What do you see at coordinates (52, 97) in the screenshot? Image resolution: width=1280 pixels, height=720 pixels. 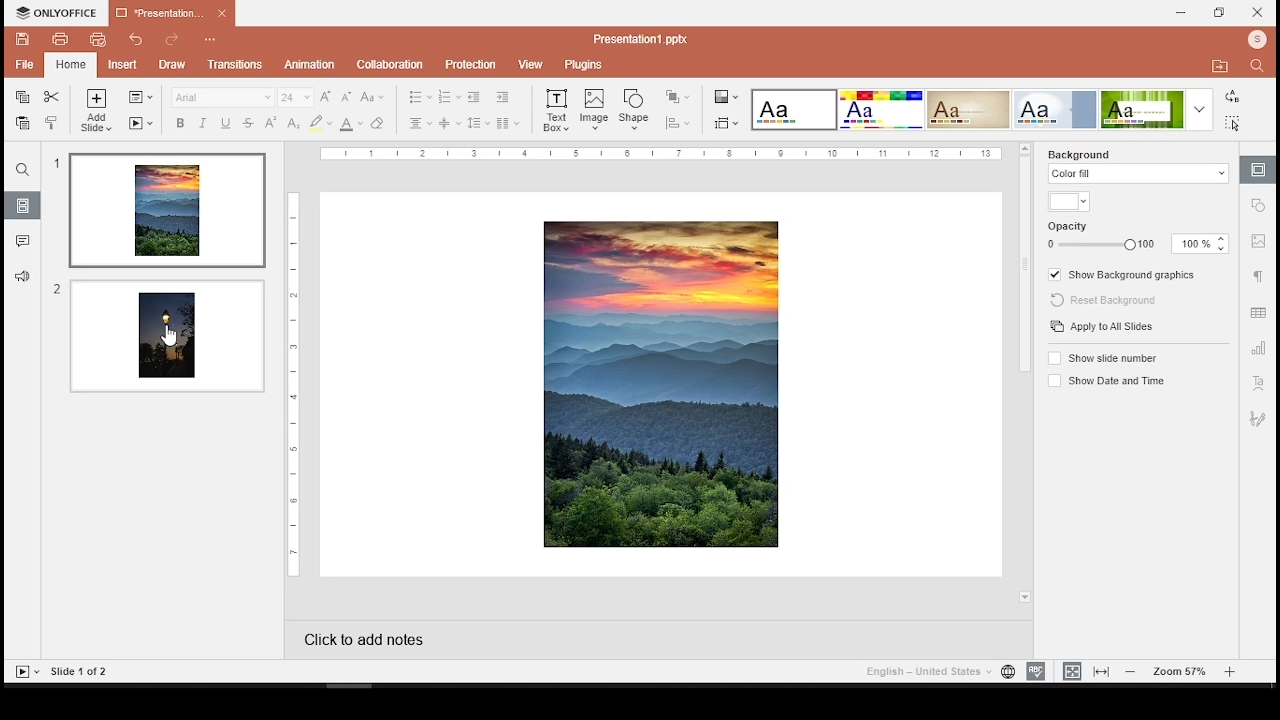 I see `cut` at bounding box center [52, 97].